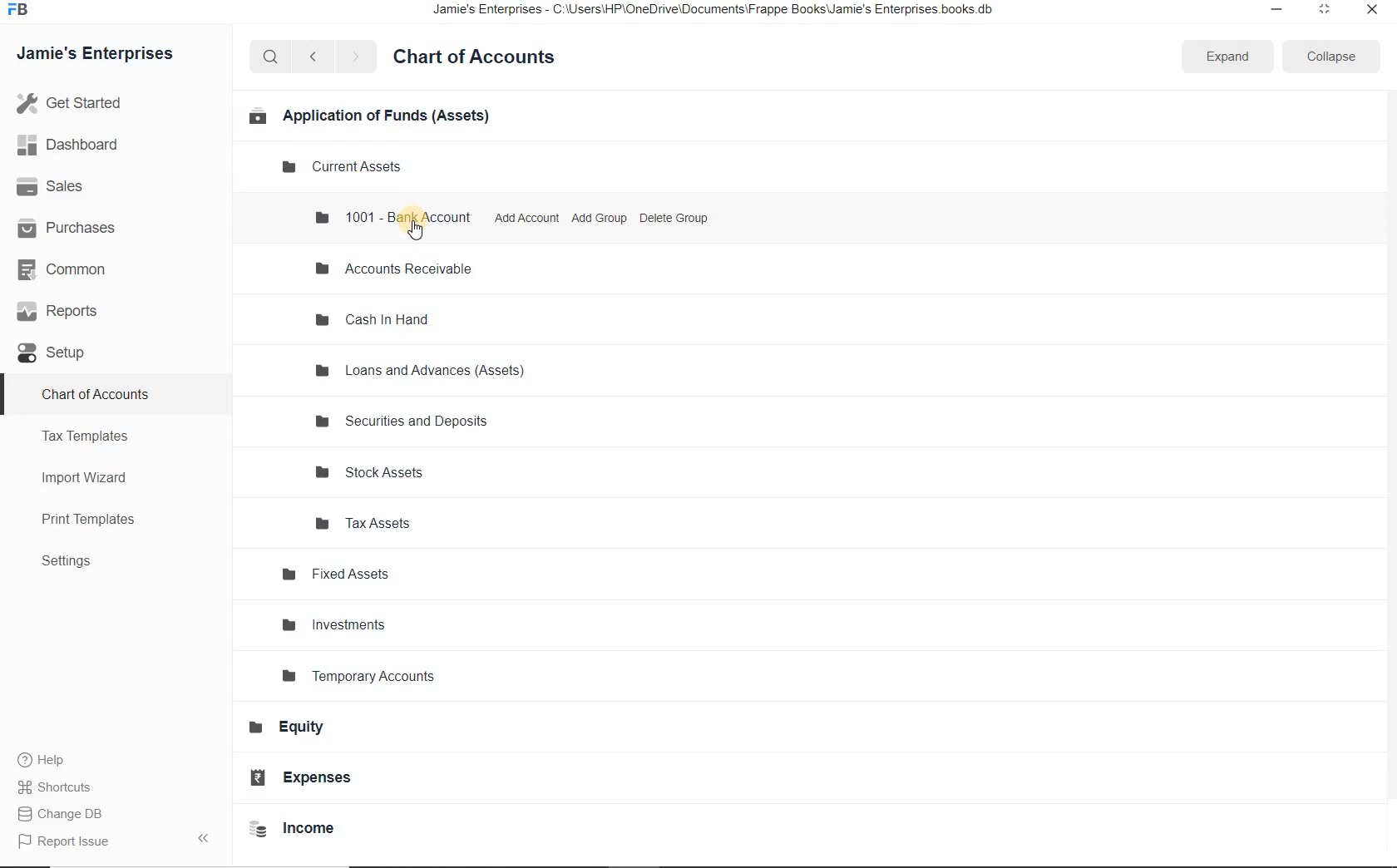 The width and height of the screenshot is (1397, 868). Describe the element at coordinates (309, 777) in the screenshot. I see `Expenses` at that location.